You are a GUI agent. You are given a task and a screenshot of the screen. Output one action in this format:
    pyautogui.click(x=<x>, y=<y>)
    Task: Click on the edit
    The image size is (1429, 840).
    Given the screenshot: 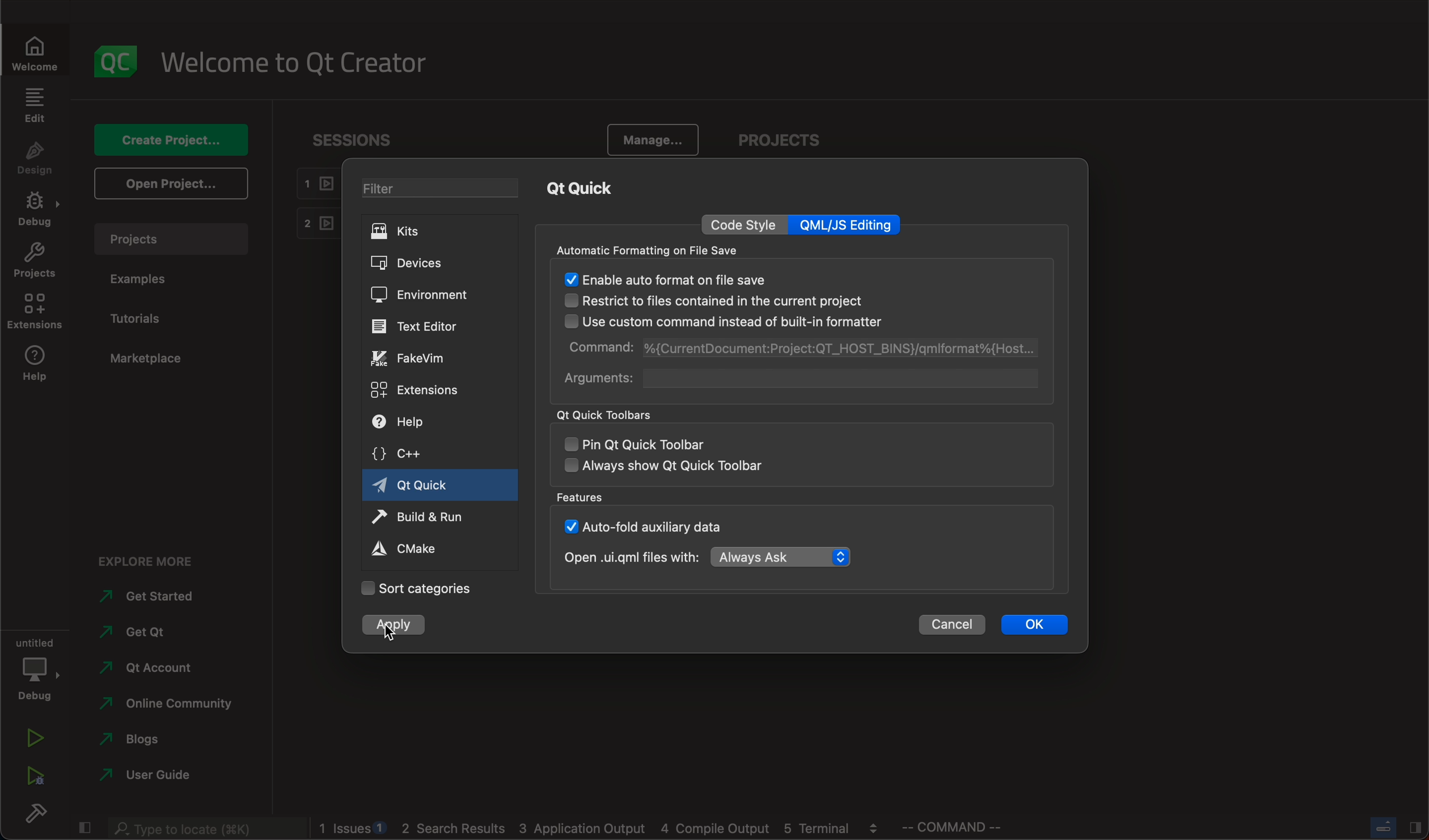 What is the action you would take?
    pyautogui.click(x=36, y=106)
    